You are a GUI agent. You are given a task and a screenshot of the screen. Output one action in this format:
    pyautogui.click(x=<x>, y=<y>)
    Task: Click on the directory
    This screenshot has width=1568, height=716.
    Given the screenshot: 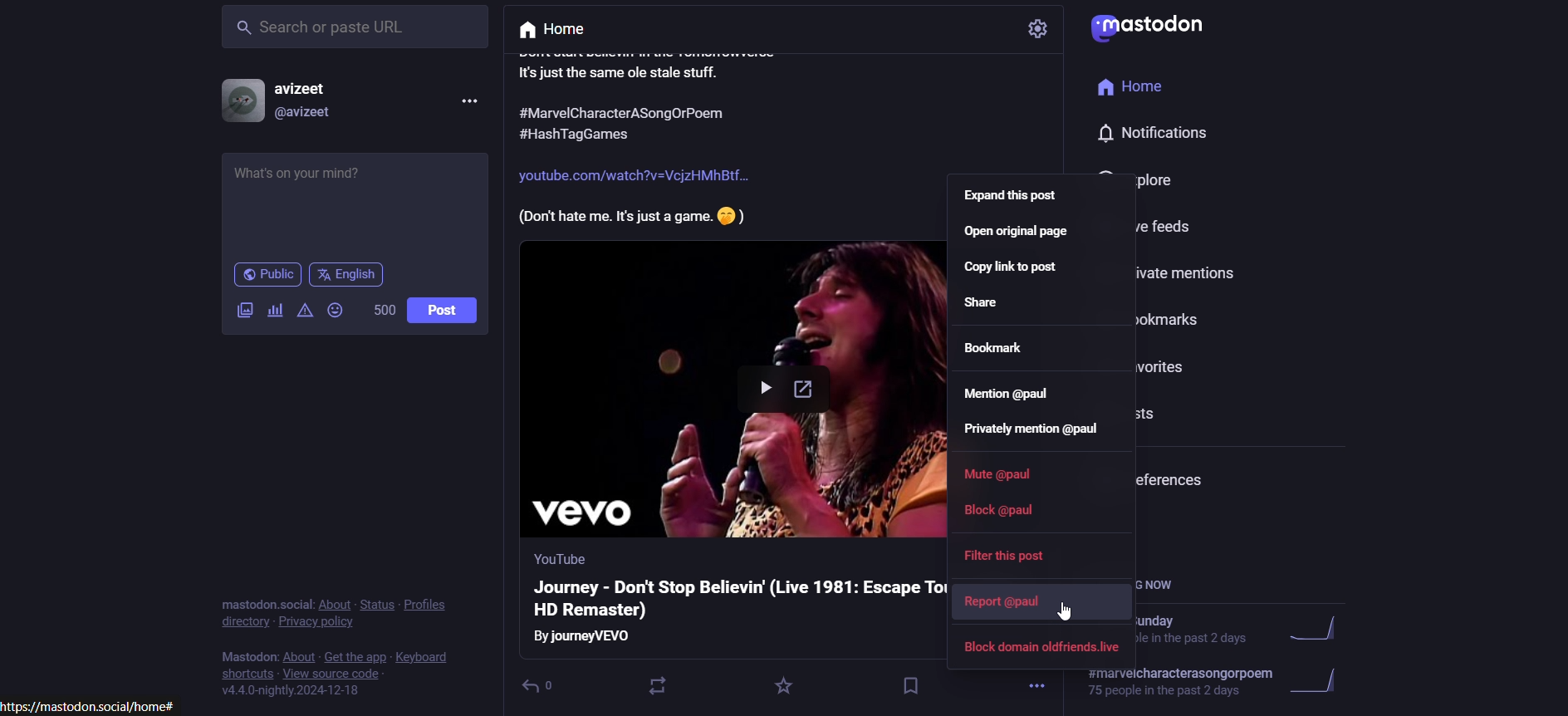 What is the action you would take?
    pyautogui.click(x=240, y=620)
    